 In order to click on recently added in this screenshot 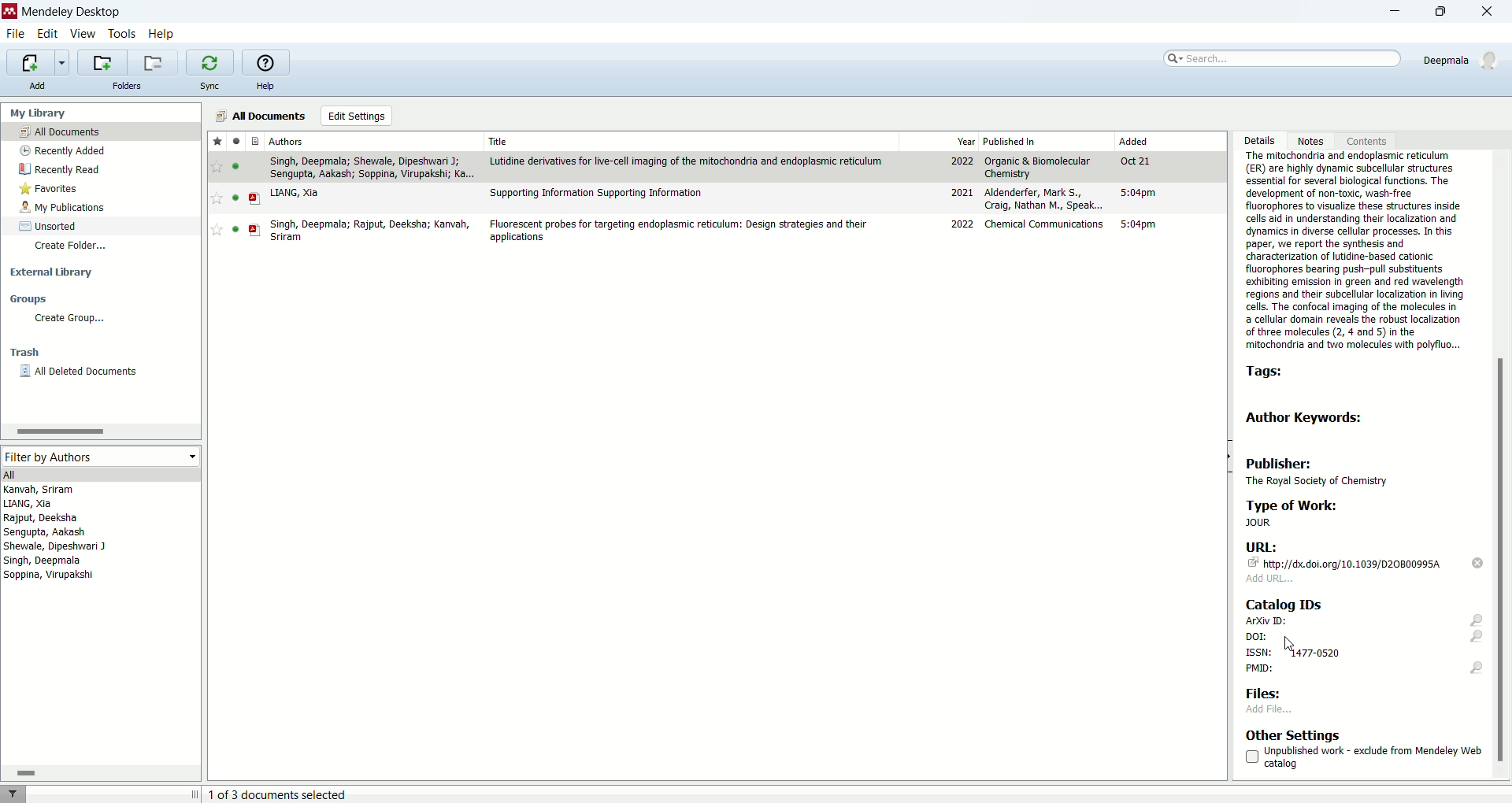, I will do `click(61, 150)`.